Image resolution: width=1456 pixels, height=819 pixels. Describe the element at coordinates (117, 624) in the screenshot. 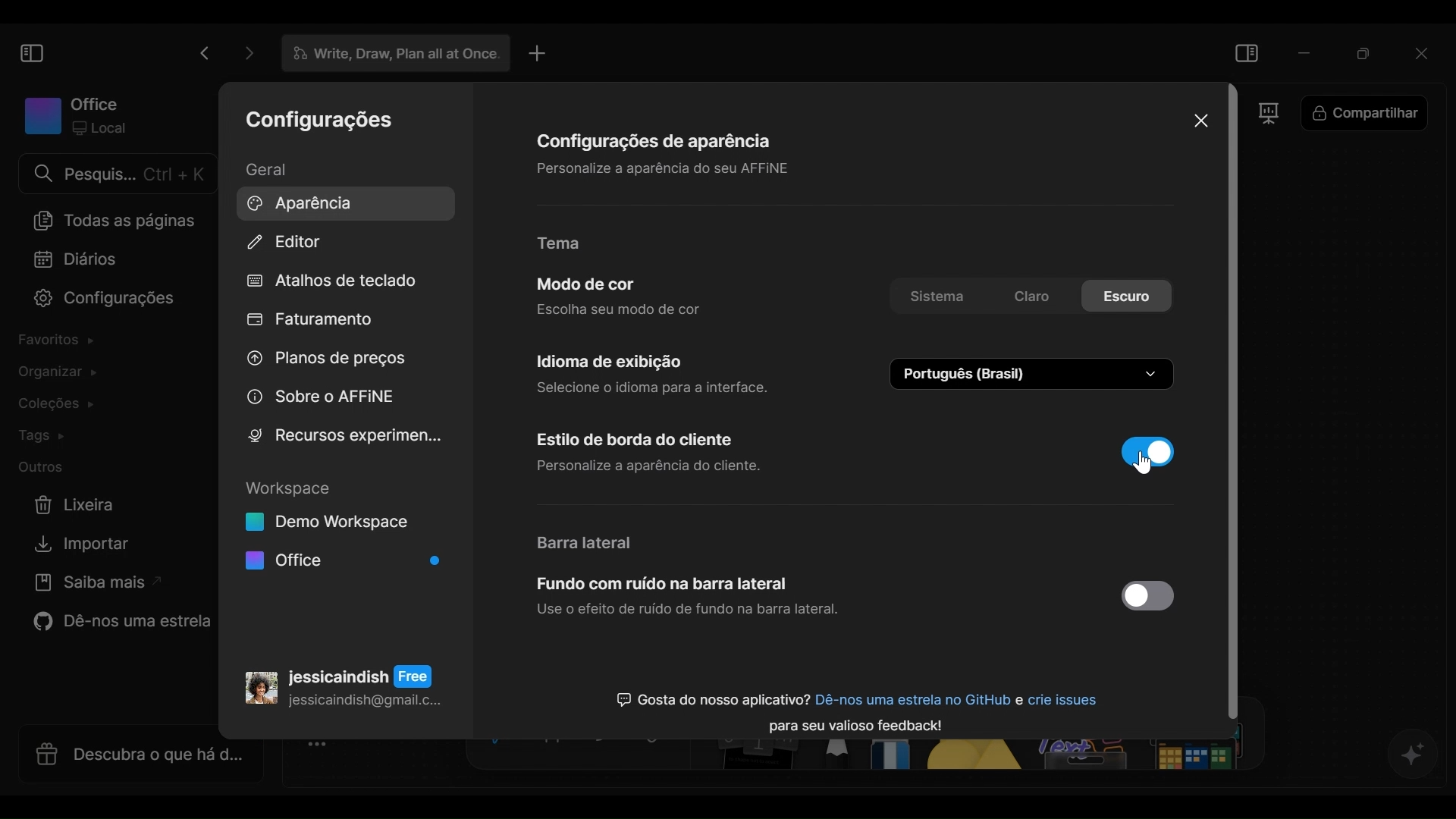

I see `Star us` at that location.